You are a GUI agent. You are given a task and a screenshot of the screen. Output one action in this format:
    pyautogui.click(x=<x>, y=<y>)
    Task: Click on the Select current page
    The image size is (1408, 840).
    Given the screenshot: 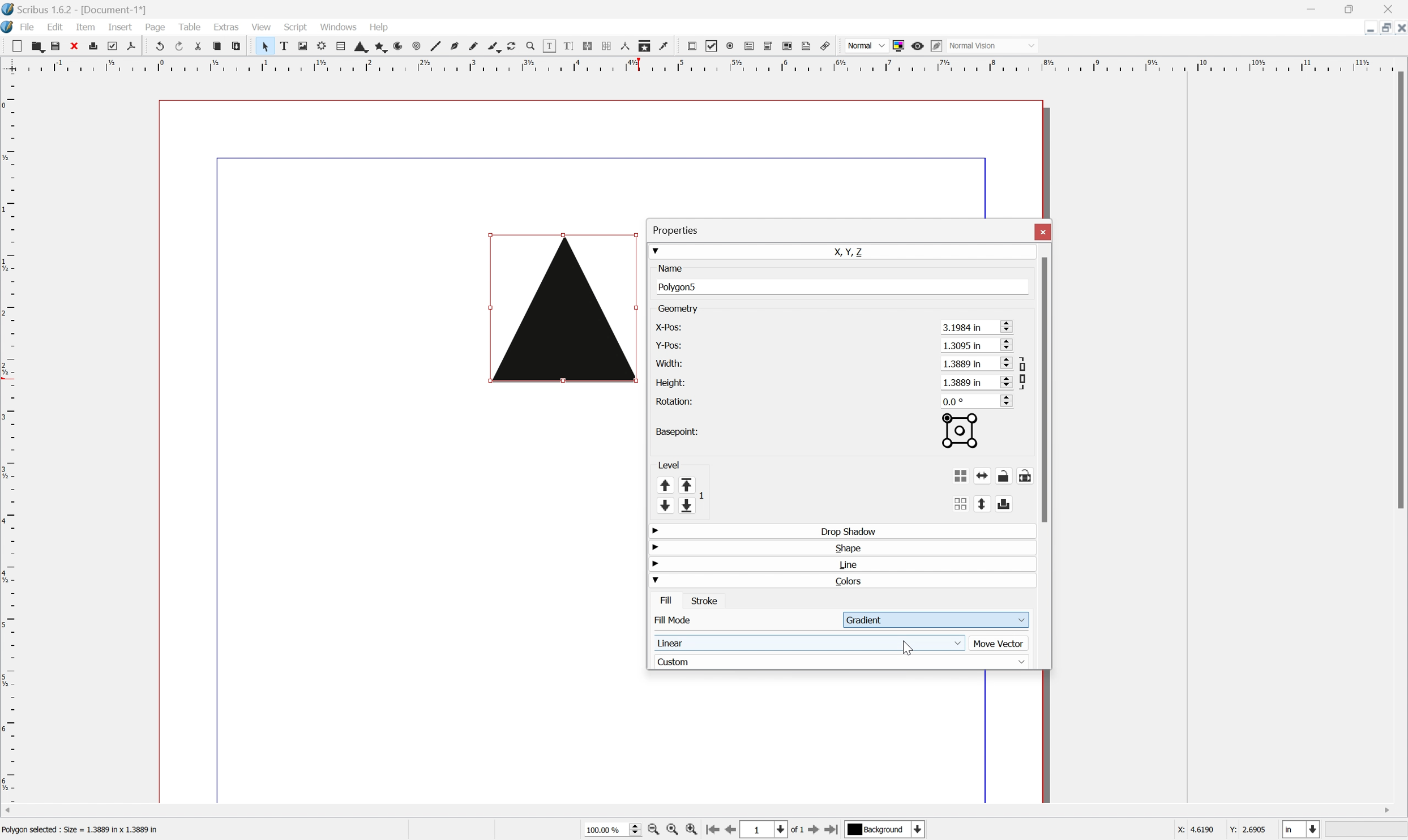 What is the action you would take?
    pyautogui.click(x=777, y=829)
    